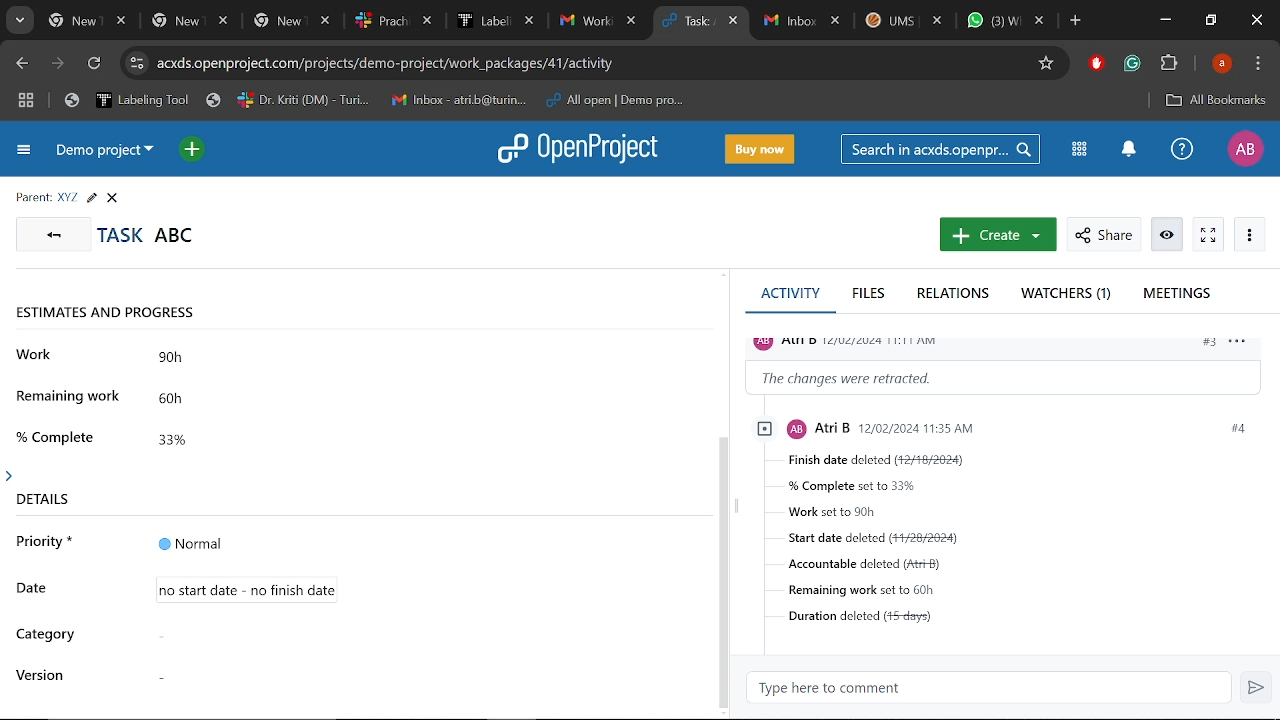 The width and height of the screenshot is (1280, 720). Describe the element at coordinates (59, 435) in the screenshot. I see `% complete` at that location.